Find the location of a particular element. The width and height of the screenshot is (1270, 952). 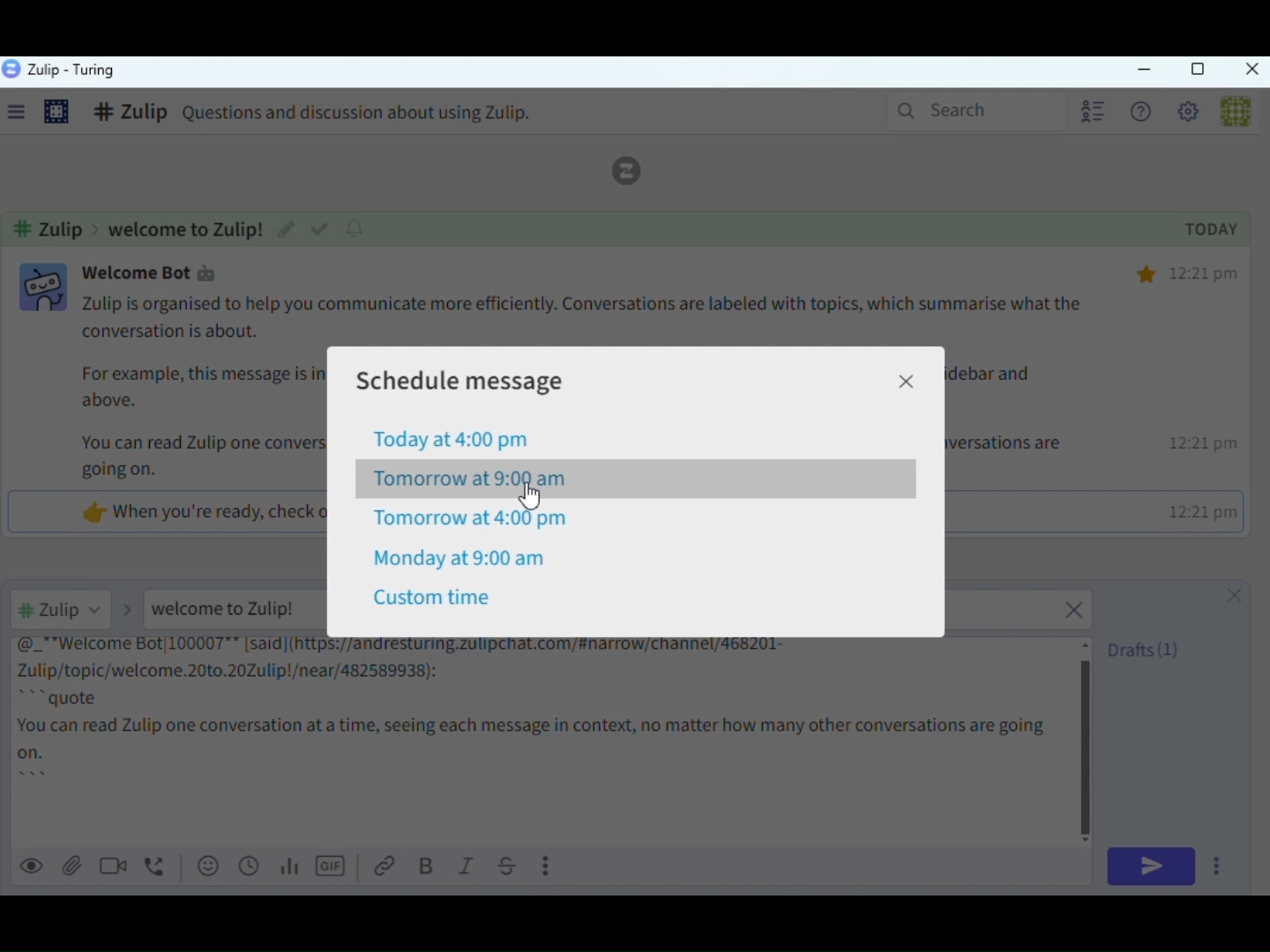

Italic is located at coordinates (467, 867).